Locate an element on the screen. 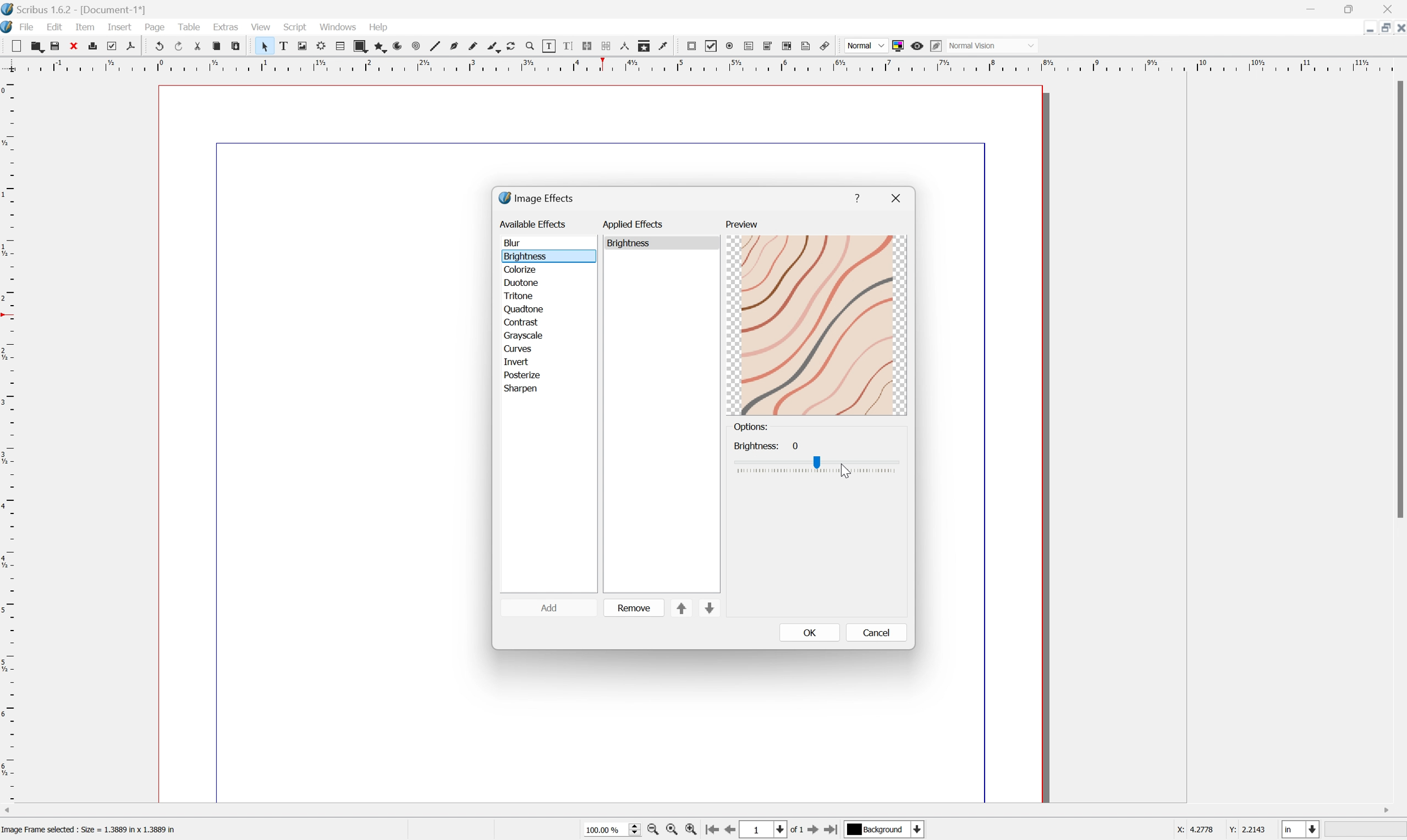 This screenshot has width=1407, height=840. Windows is located at coordinates (337, 25).